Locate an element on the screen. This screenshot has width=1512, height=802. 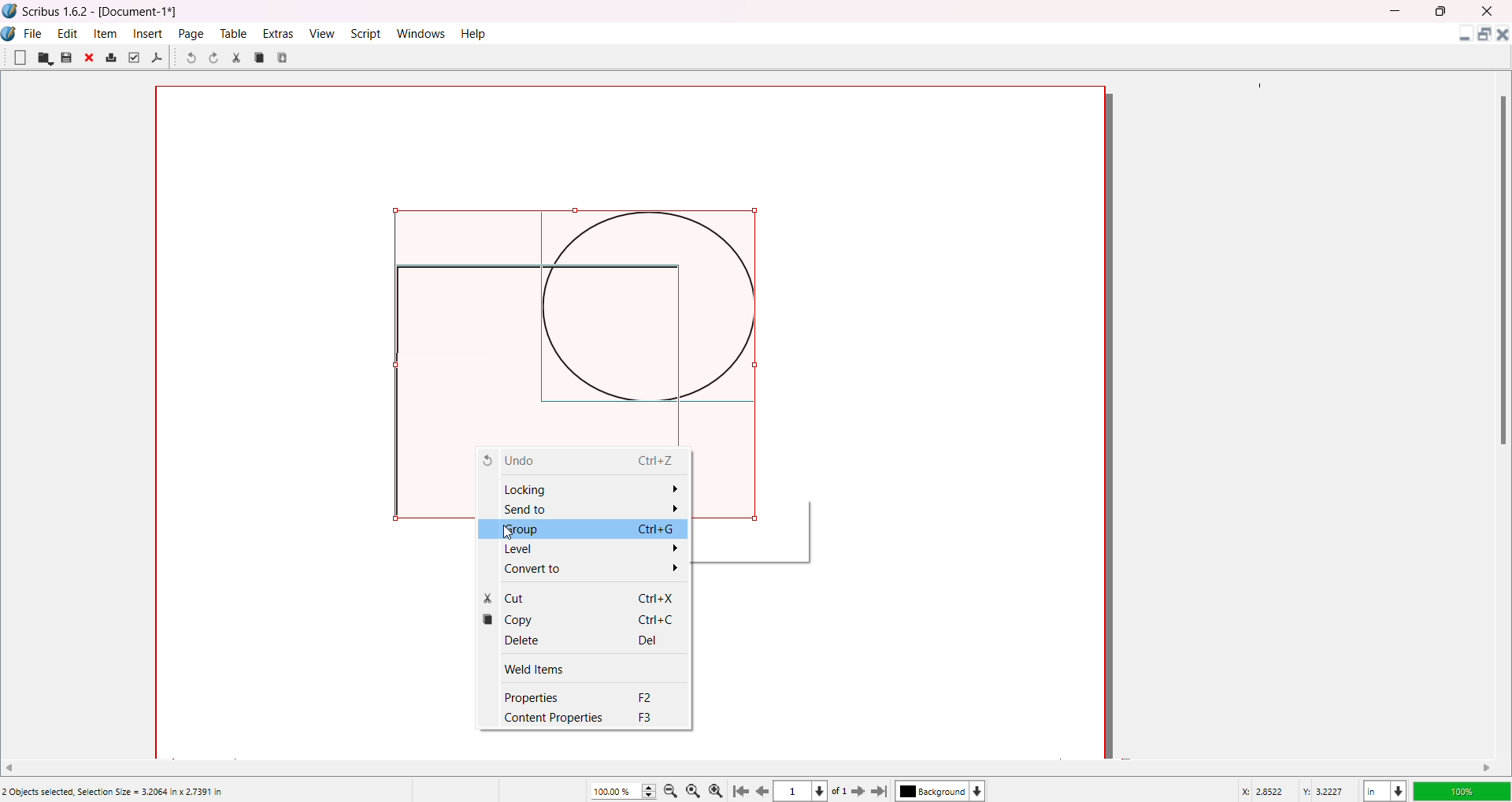
Undo is located at coordinates (190, 59).